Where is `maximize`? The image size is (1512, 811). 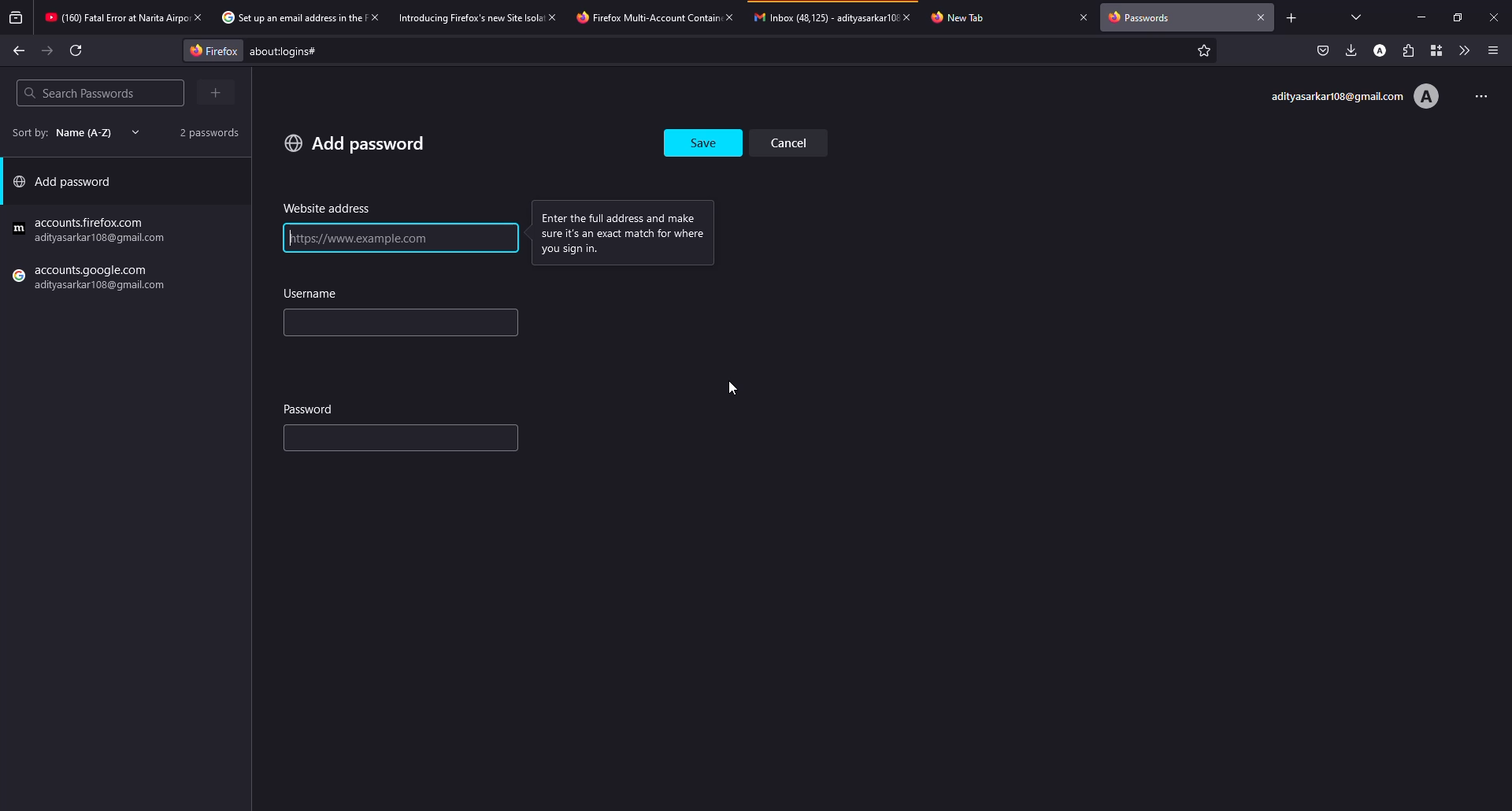
maximize is located at coordinates (1454, 17).